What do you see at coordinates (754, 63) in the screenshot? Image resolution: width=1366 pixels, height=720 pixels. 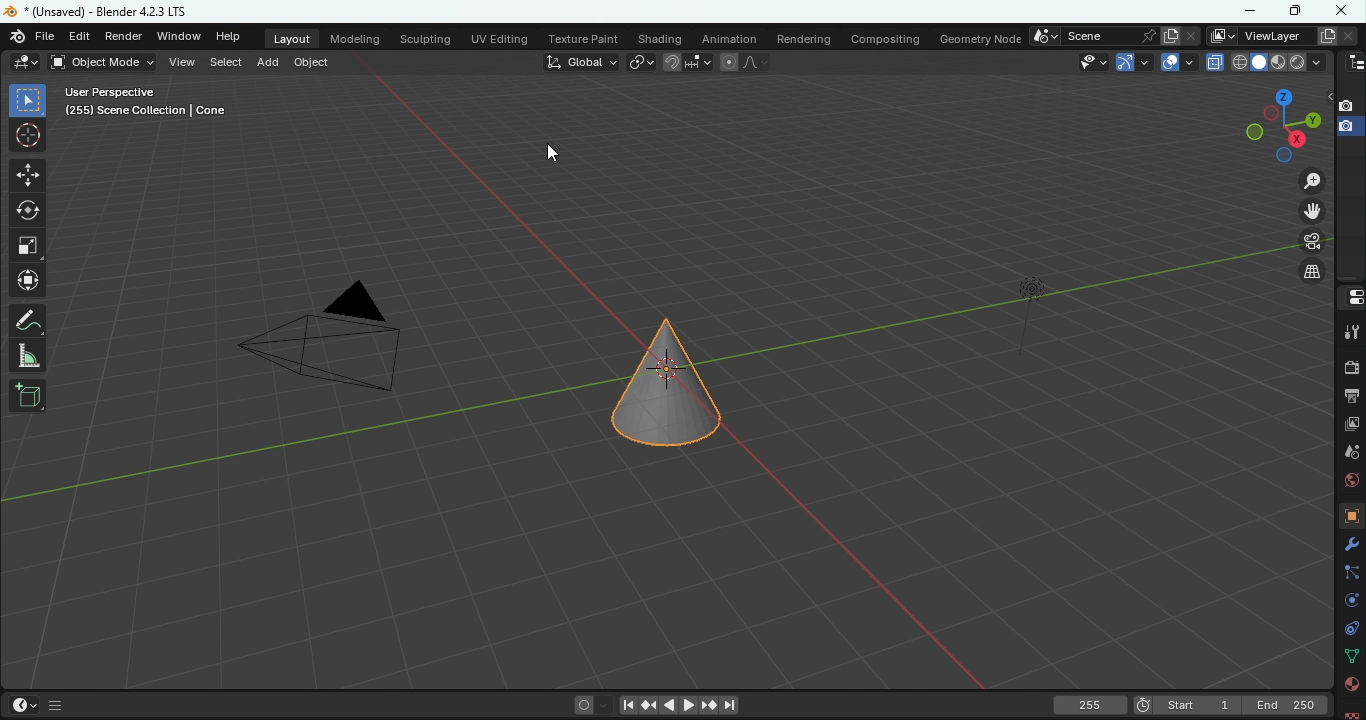 I see `Proportional editing falloff` at bounding box center [754, 63].